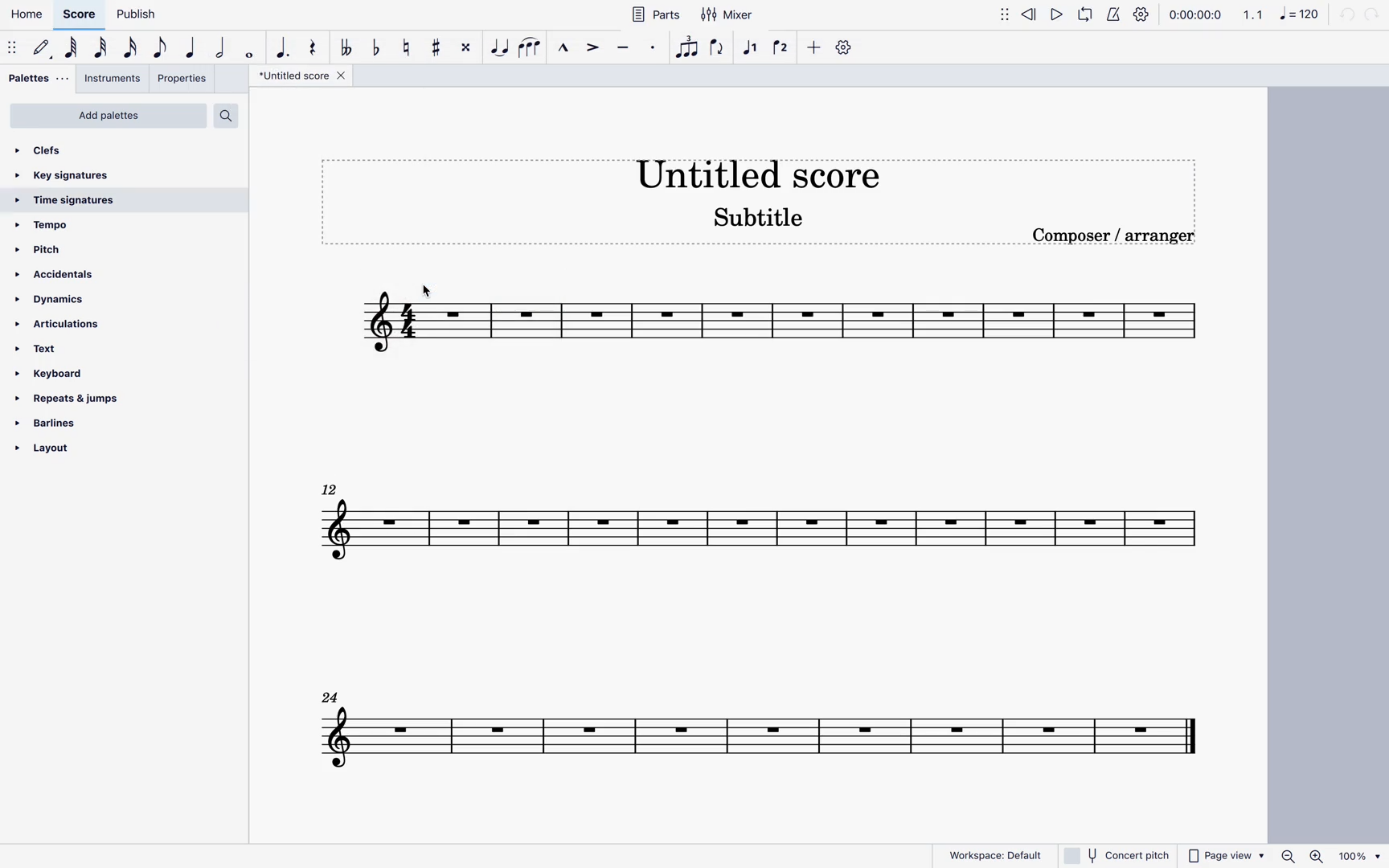 This screenshot has height=868, width=1389. Describe the element at coordinates (71, 175) in the screenshot. I see `key signatures` at that location.